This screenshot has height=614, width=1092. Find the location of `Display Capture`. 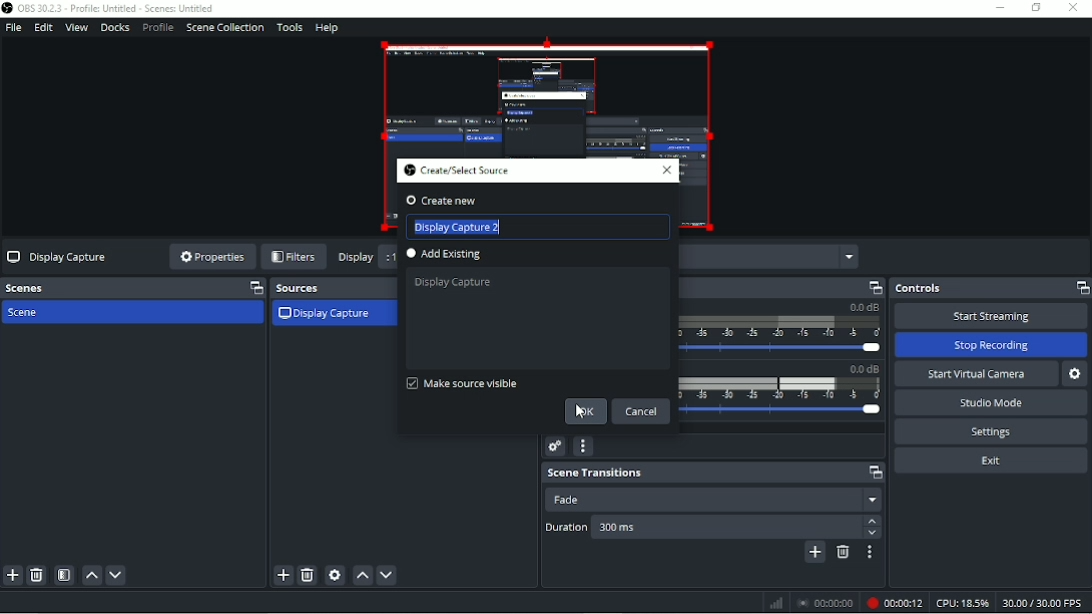

Display Capture is located at coordinates (458, 284).